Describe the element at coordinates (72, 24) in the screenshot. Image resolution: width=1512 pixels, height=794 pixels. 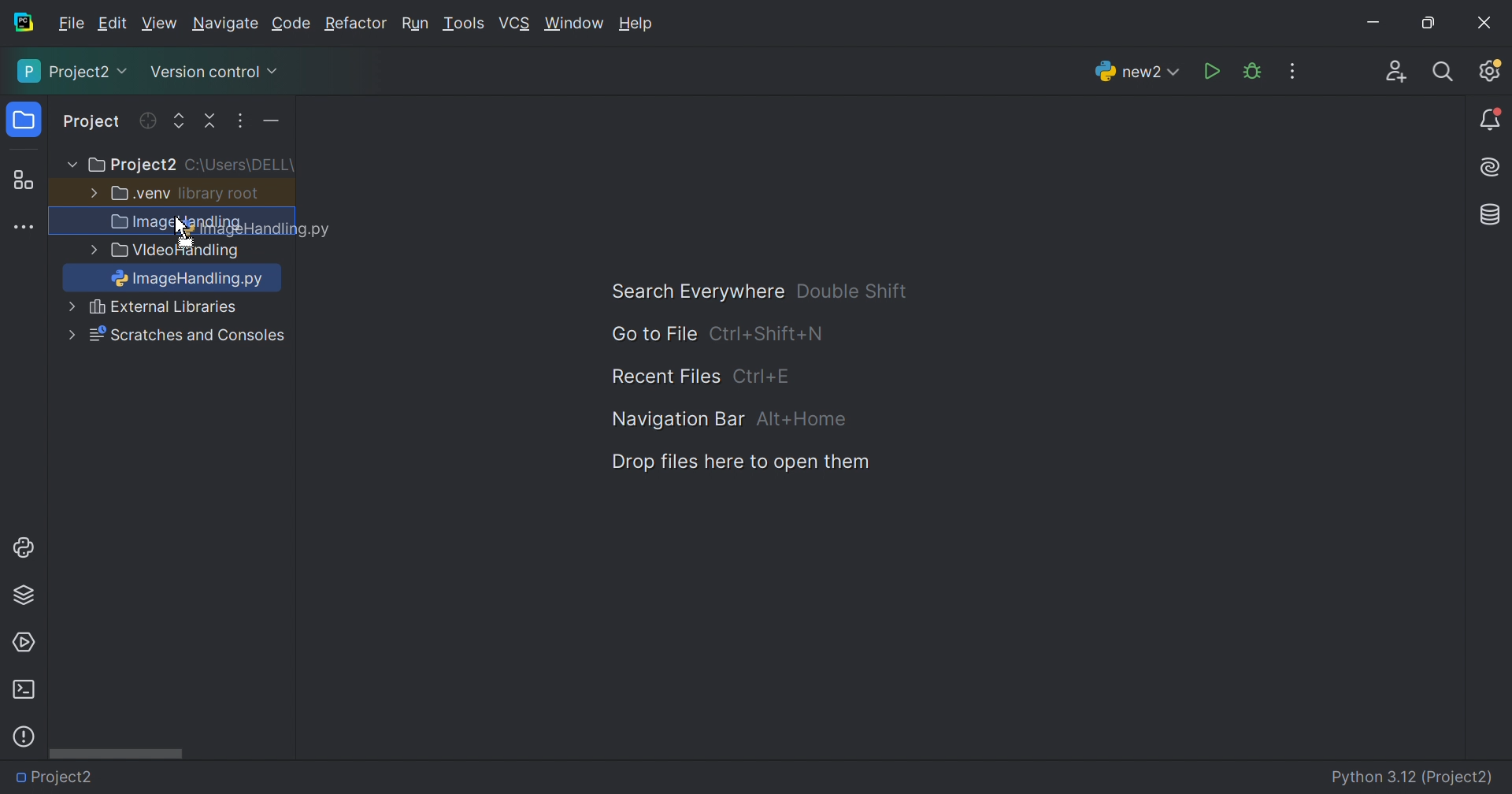
I see `File` at that location.